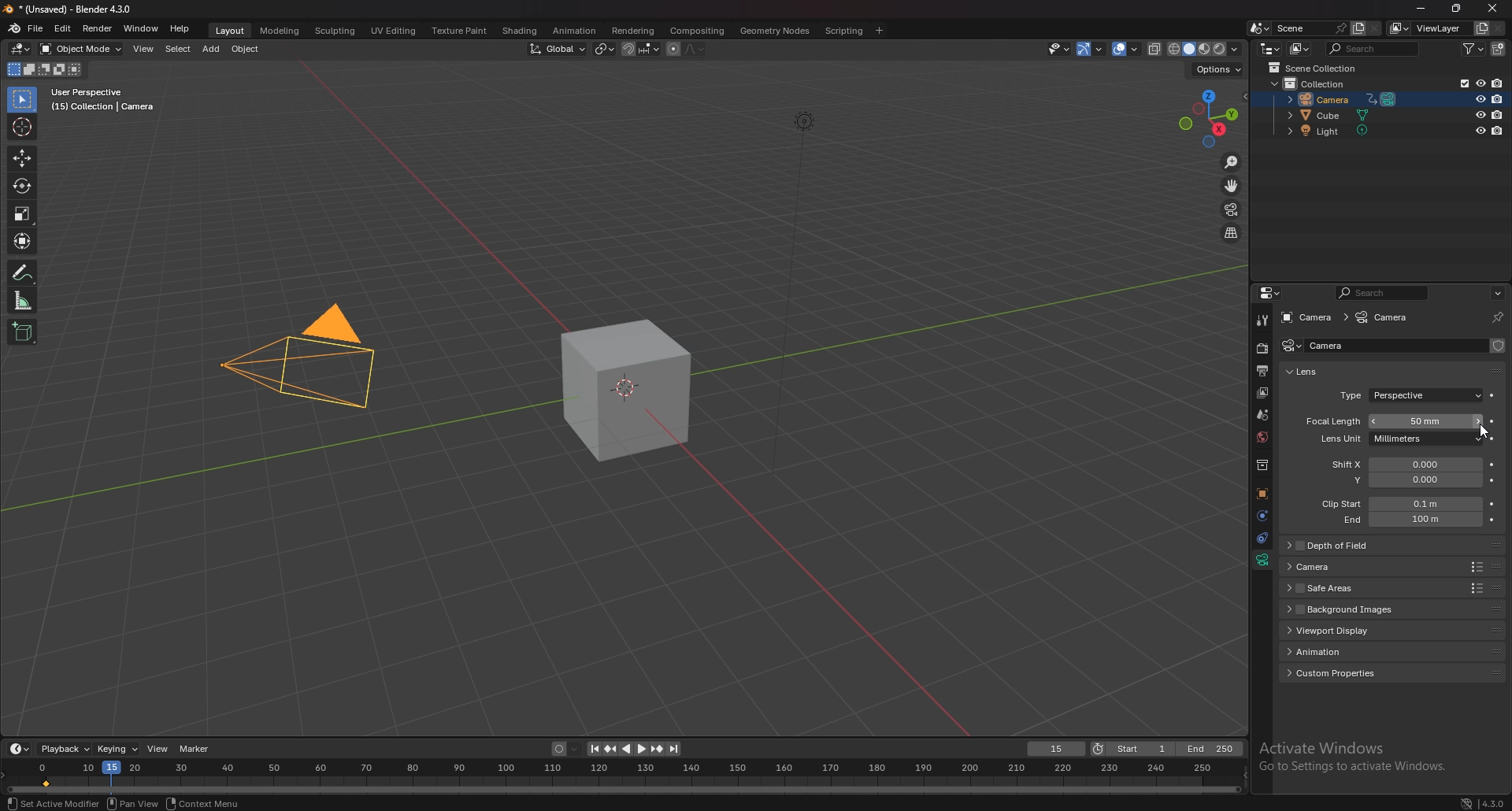 This screenshot has width=1512, height=811. Describe the element at coordinates (1347, 650) in the screenshot. I see `animation` at that location.